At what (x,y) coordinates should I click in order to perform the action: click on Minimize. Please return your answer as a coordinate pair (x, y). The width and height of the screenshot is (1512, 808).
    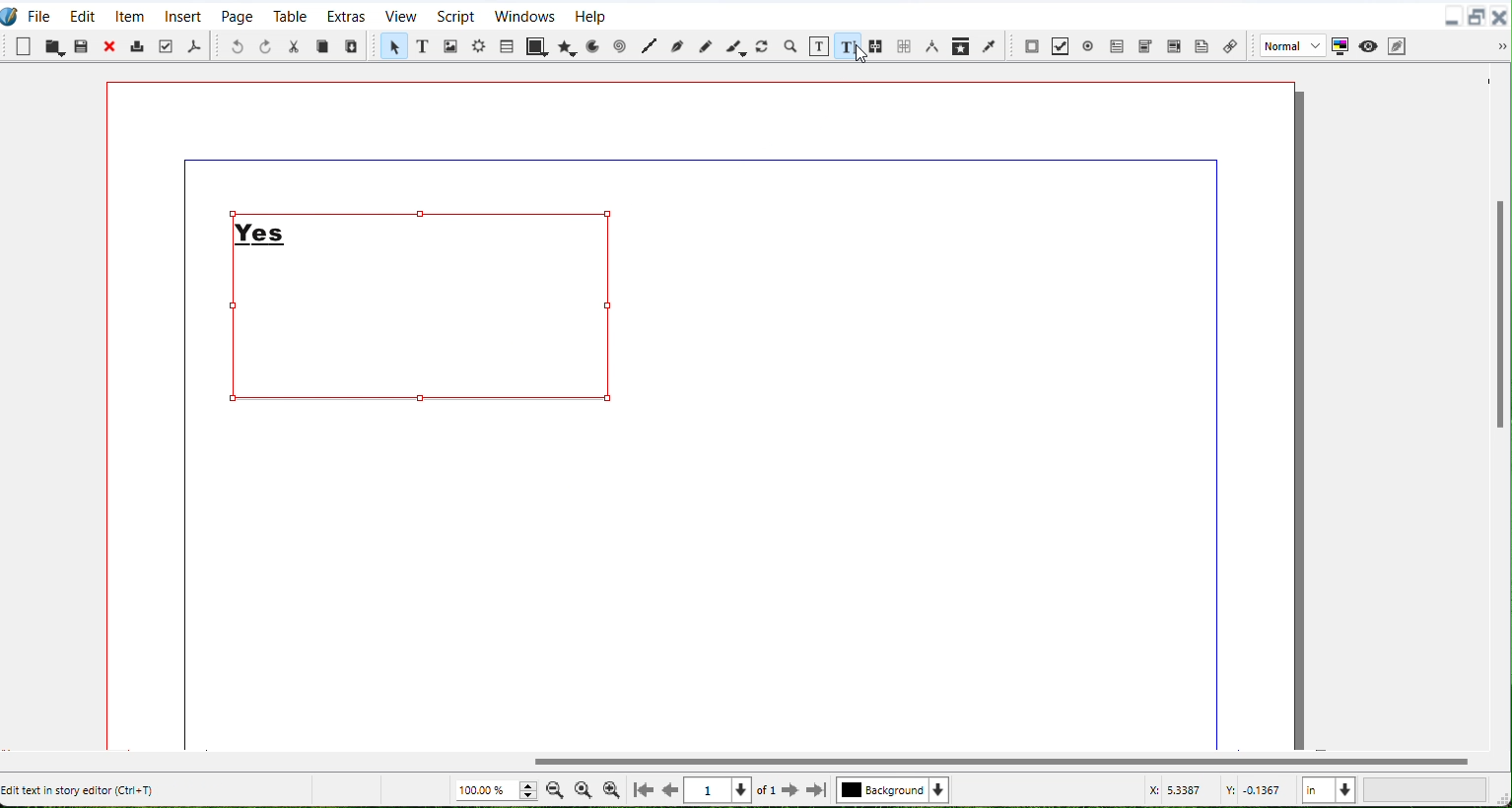
    Looking at the image, I should click on (1452, 16).